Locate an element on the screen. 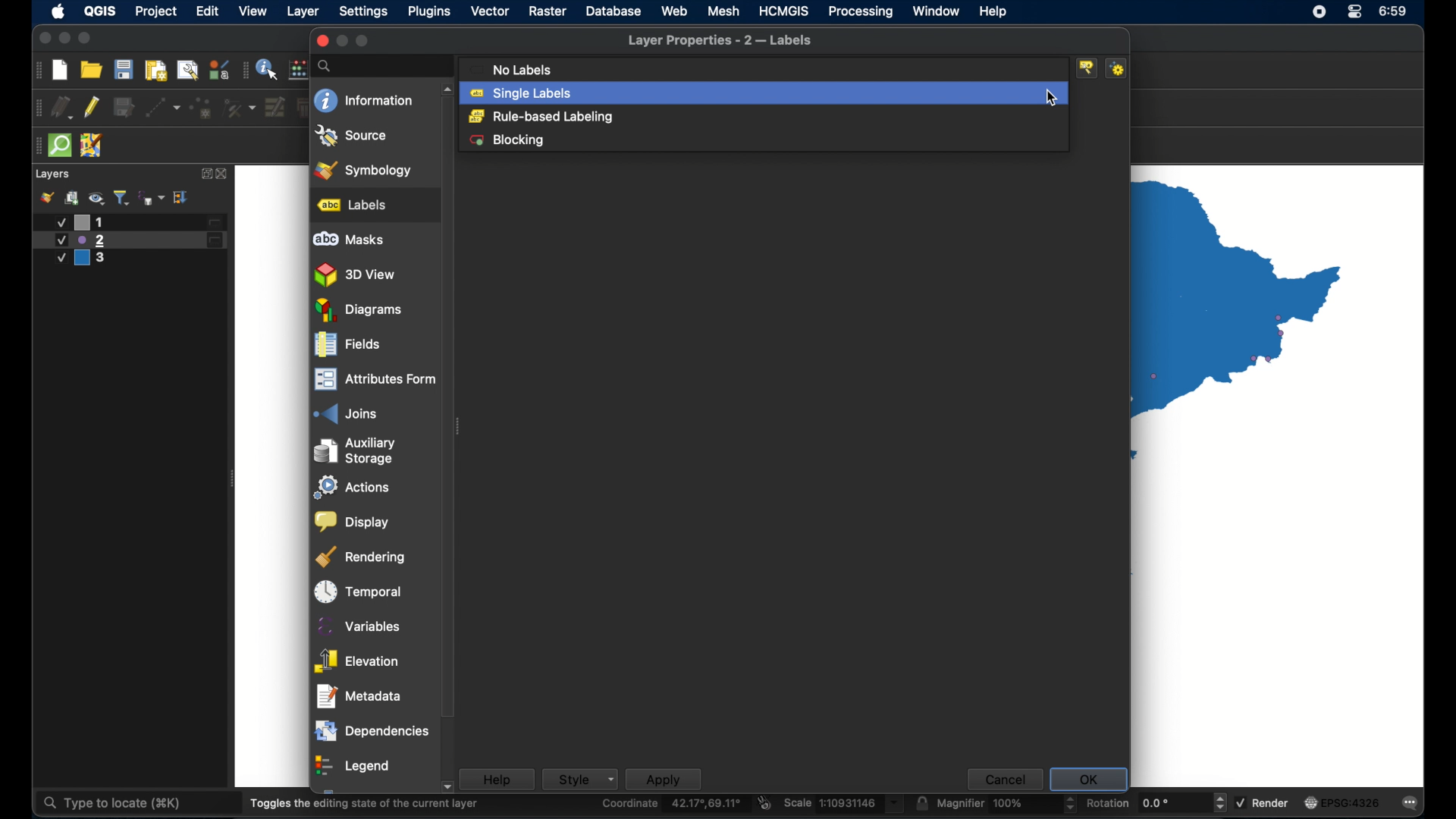  open field calculator is located at coordinates (300, 69).